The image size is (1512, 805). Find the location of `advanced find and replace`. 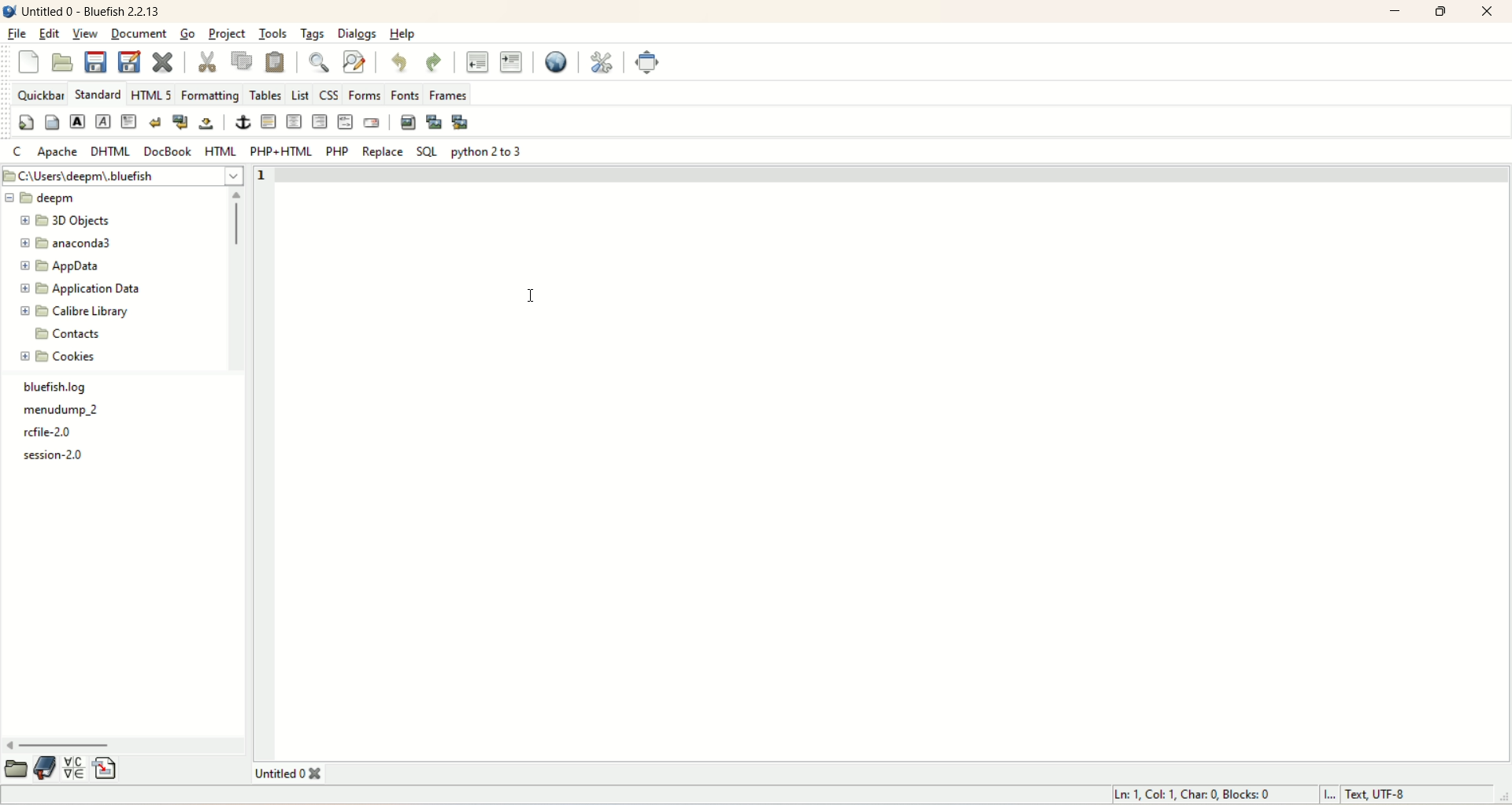

advanced find and replace is located at coordinates (353, 61).